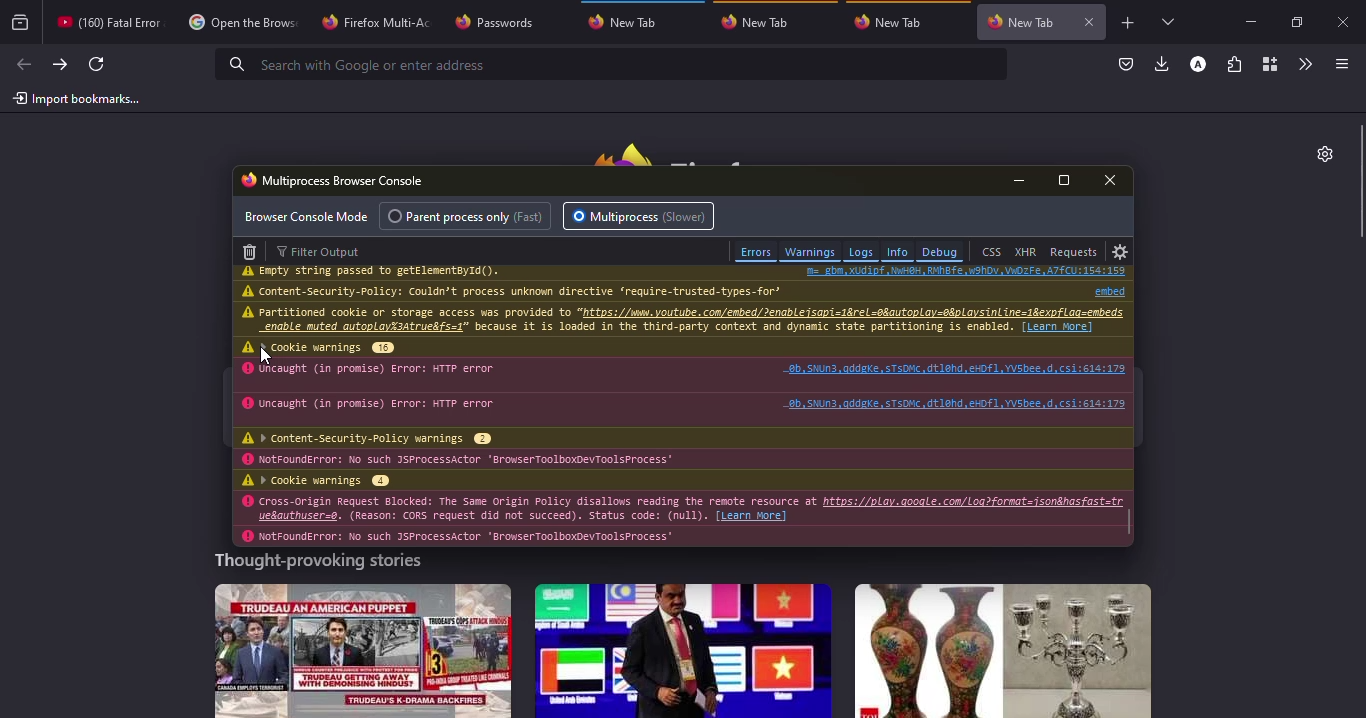 This screenshot has width=1366, height=718. Describe the element at coordinates (386, 404) in the screenshot. I see `info` at that location.